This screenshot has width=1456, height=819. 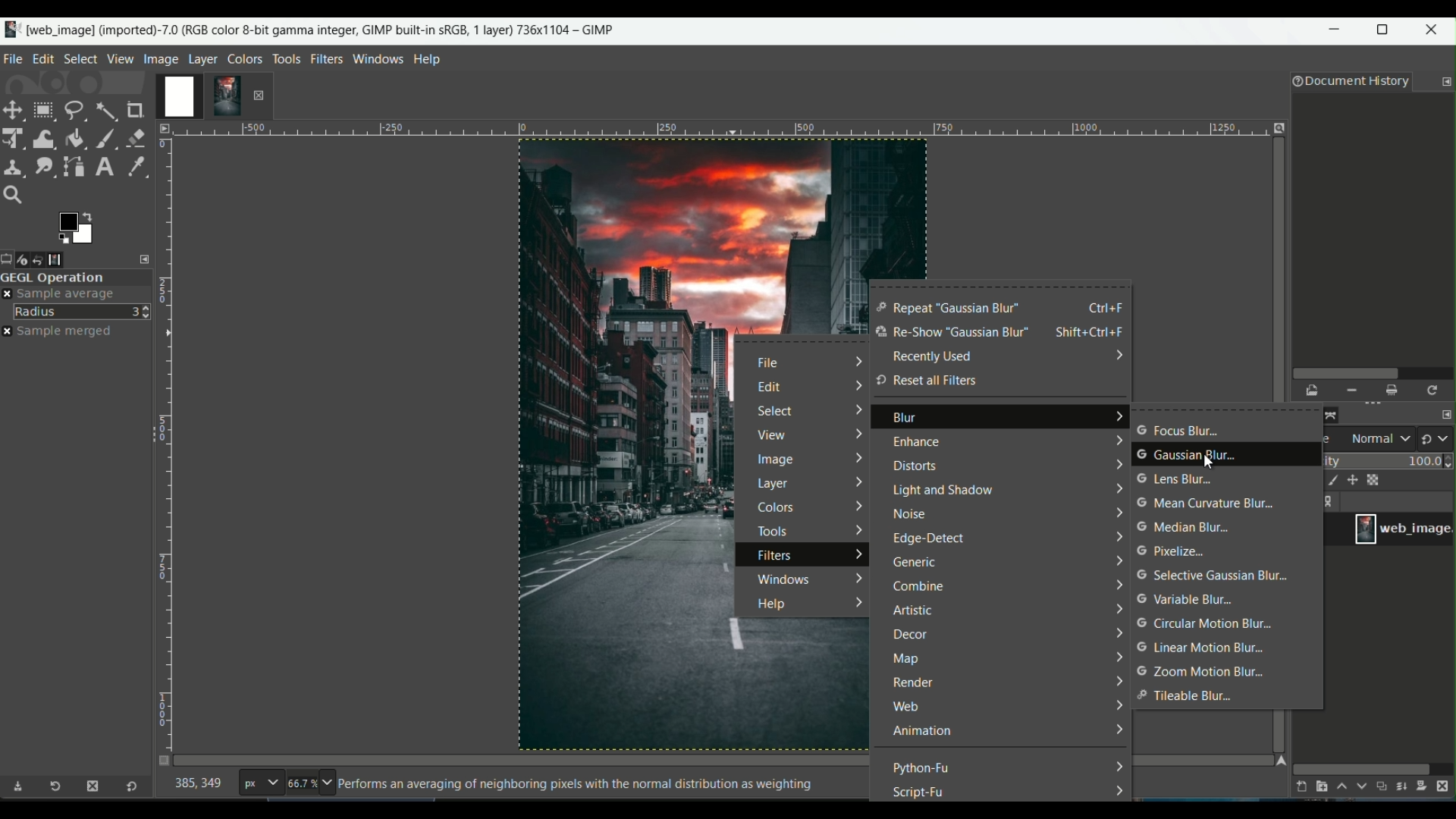 What do you see at coordinates (914, 444) in the screenshot?
I see `enhance` at bounding box center [914, 444].